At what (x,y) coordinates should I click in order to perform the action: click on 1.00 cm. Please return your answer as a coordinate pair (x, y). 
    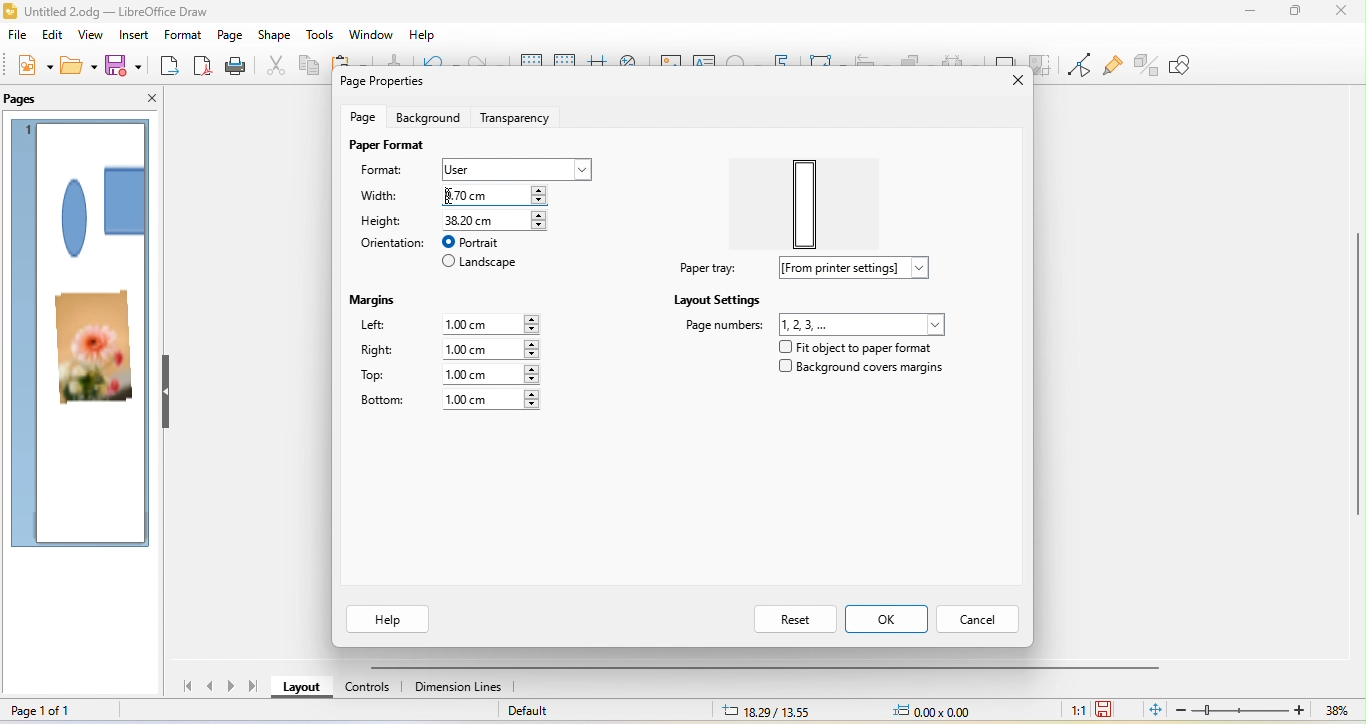
    Looking at the image, I should click on (502, 323).